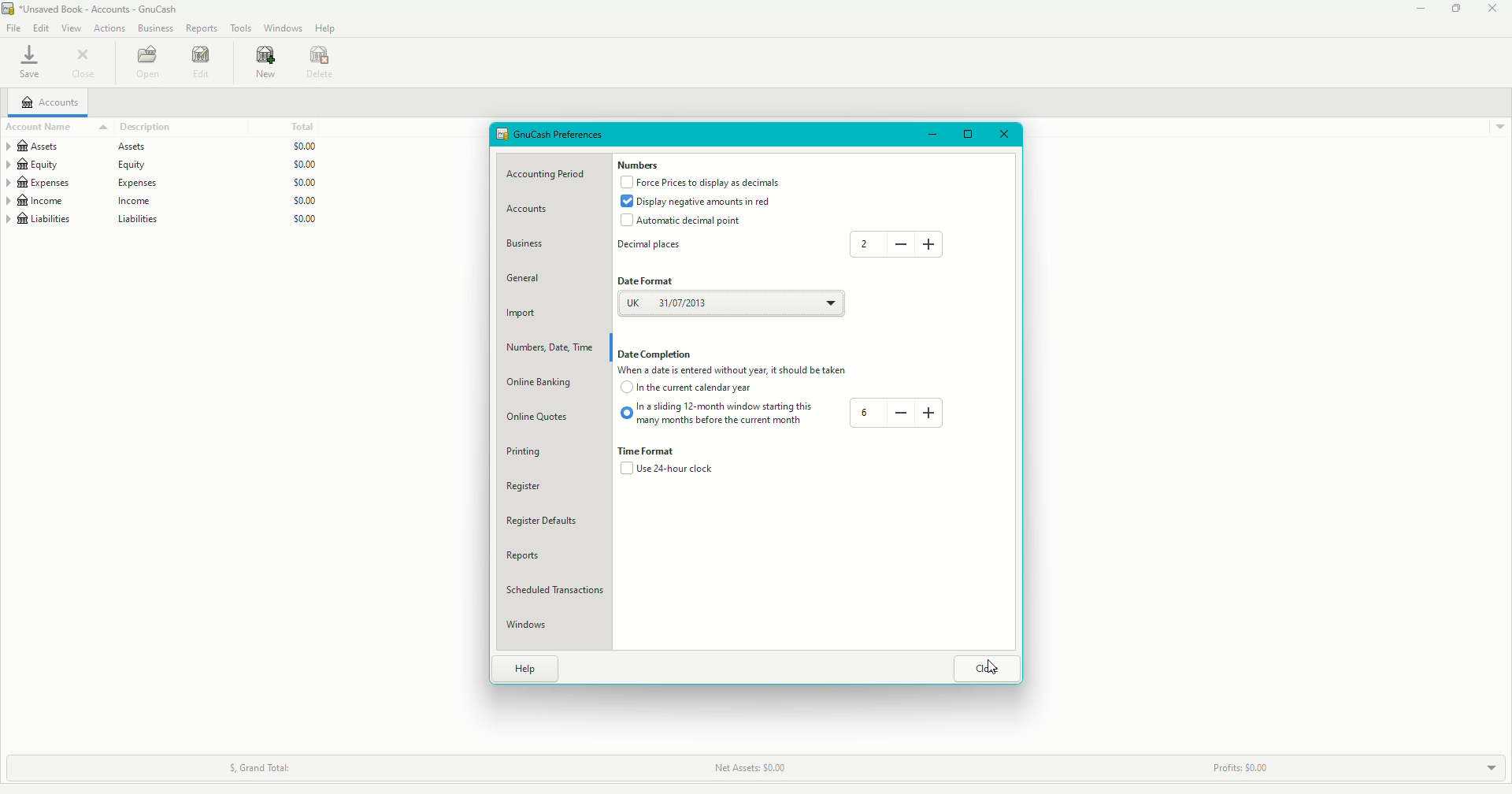  What do you see at coordinates (1492, 8) in the screenshot?
I see `Close` at bounding box center [1492, 8].